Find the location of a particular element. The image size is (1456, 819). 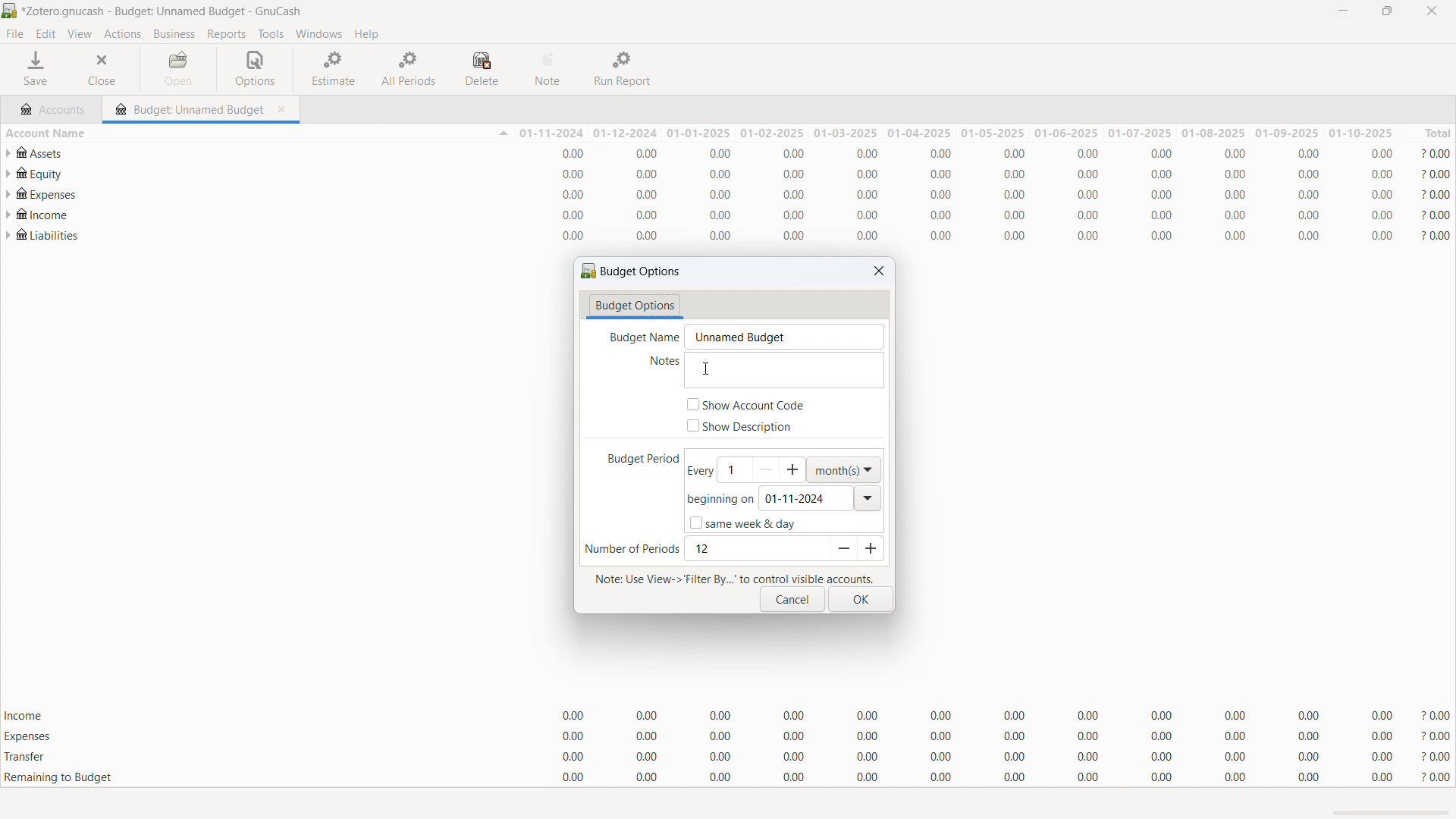

file is located at coordinates (14, 34).